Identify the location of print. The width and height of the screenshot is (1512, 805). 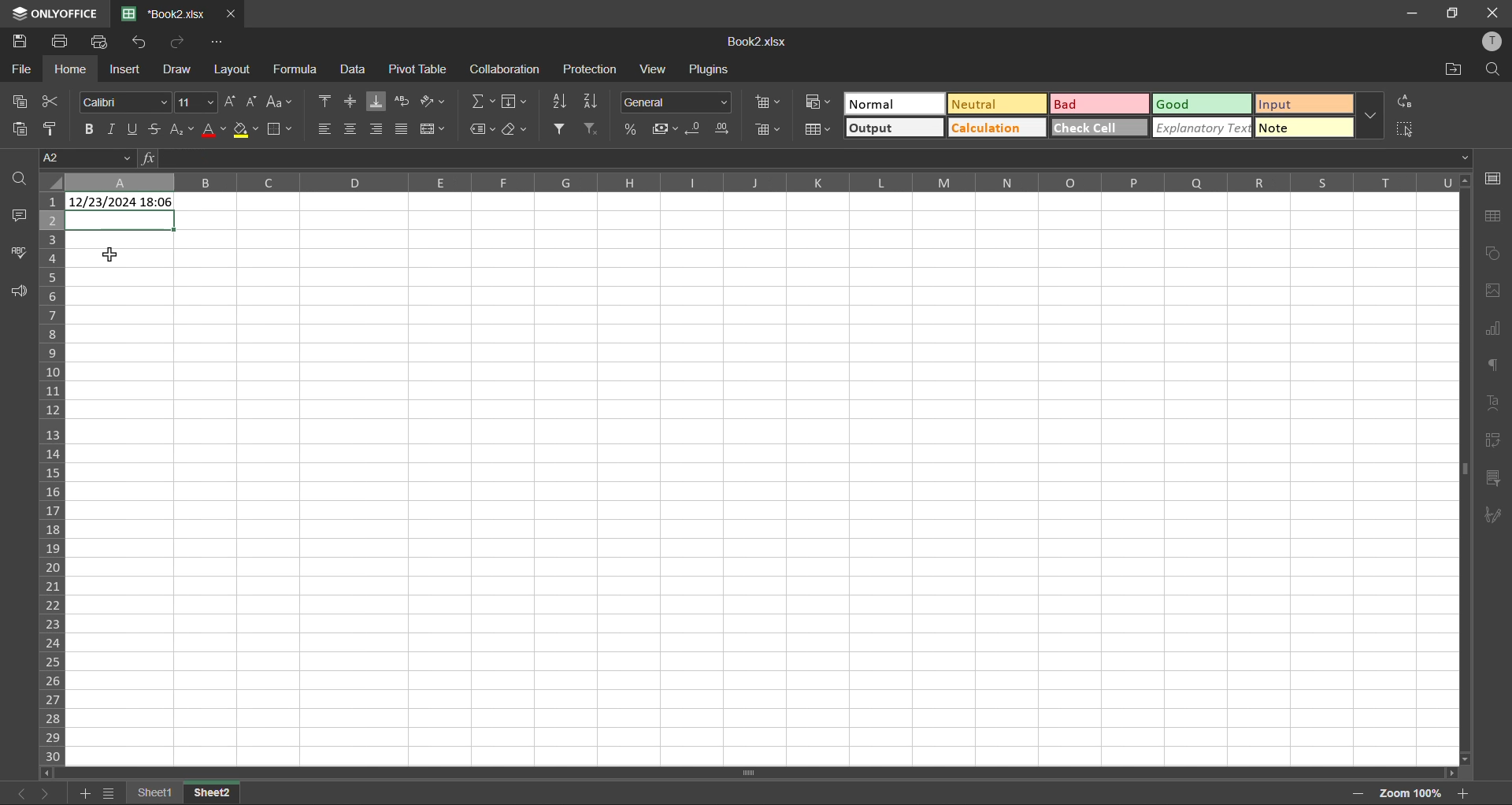
(63, 40).